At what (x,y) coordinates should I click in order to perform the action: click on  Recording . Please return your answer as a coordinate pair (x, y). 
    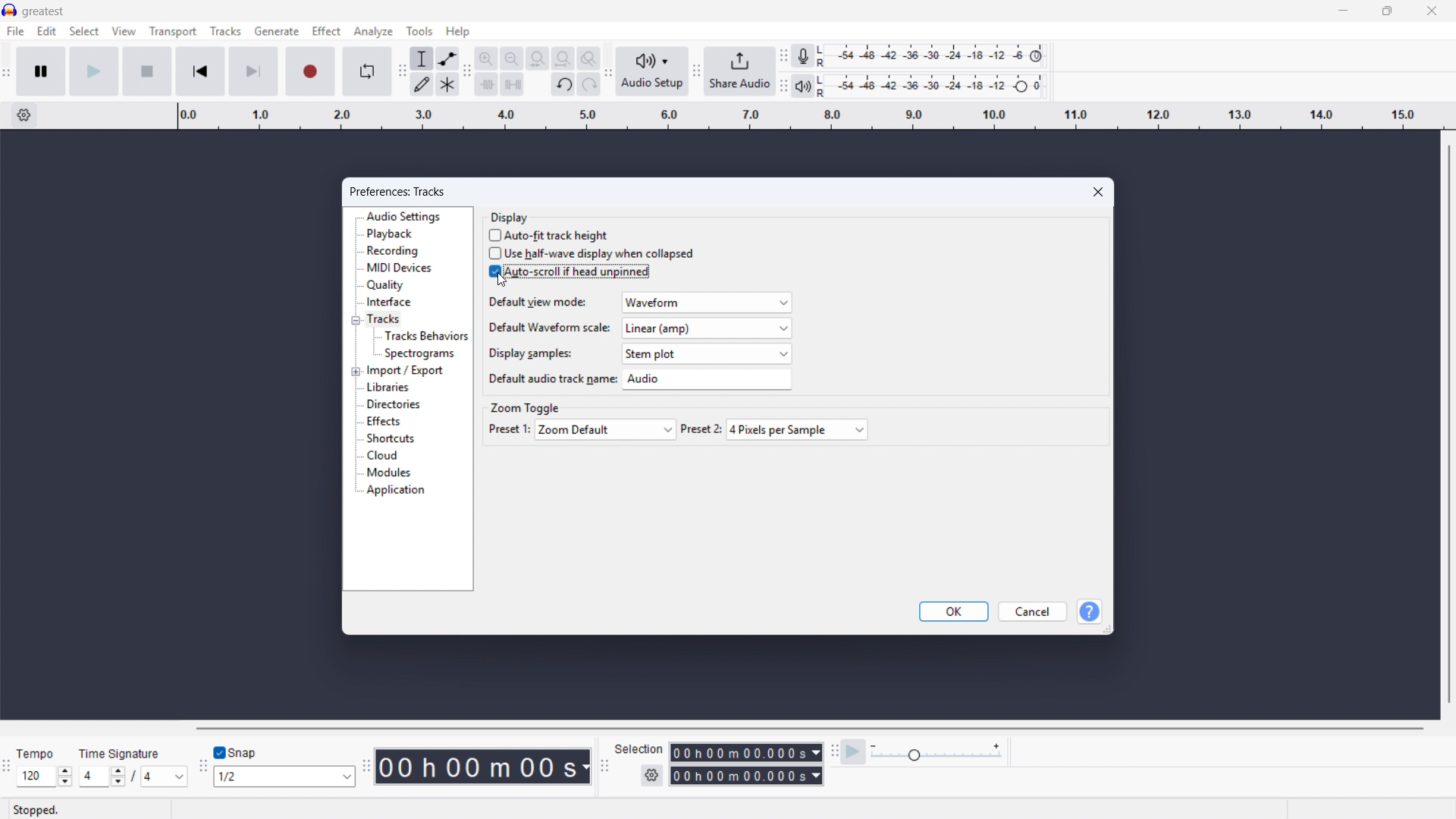
    Looking at the image, I should click on (393, 251).